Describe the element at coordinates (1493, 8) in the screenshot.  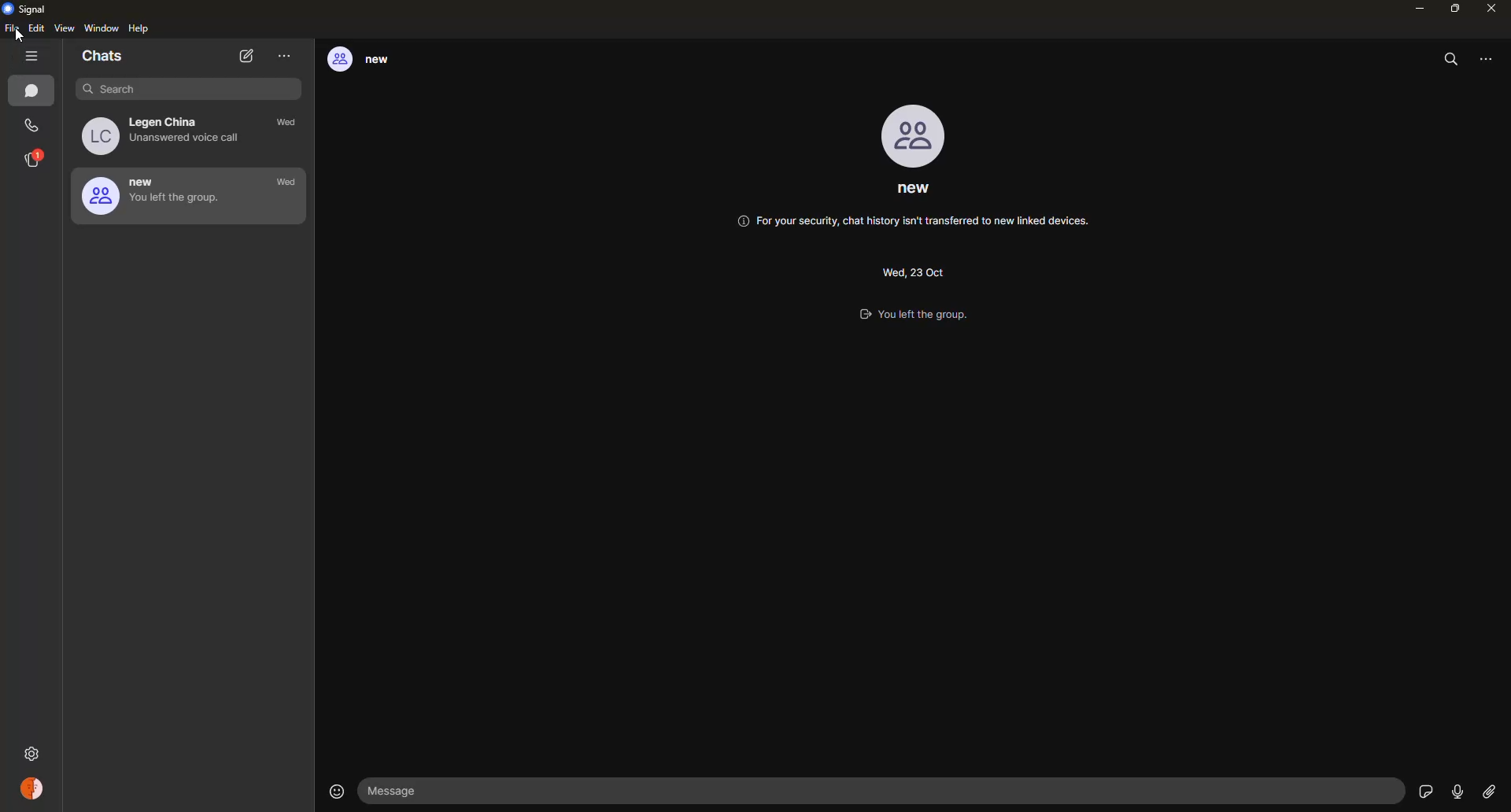
I see `close` at that location.